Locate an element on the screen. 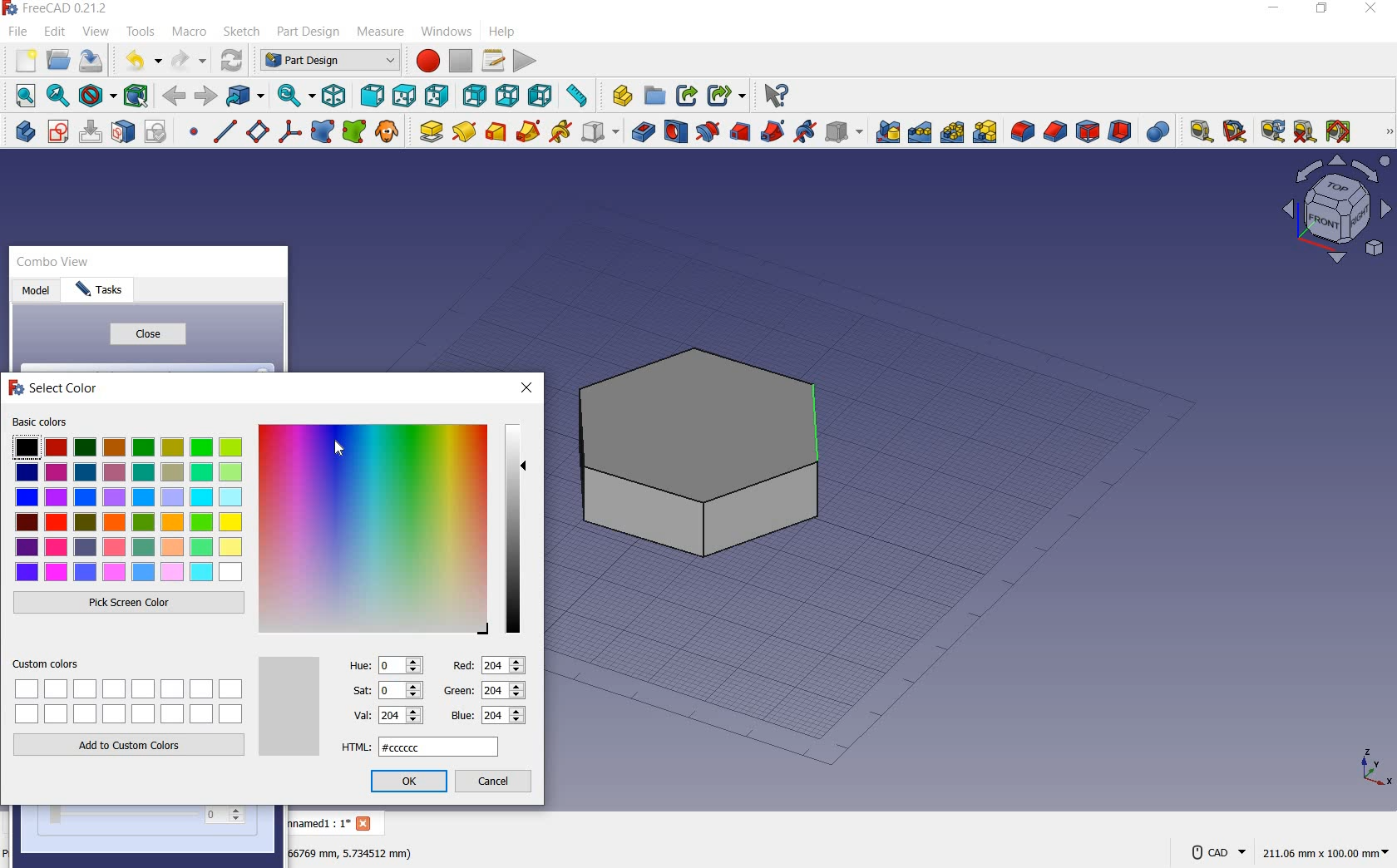  subtractive pipe is located at coordinates (773, 132).